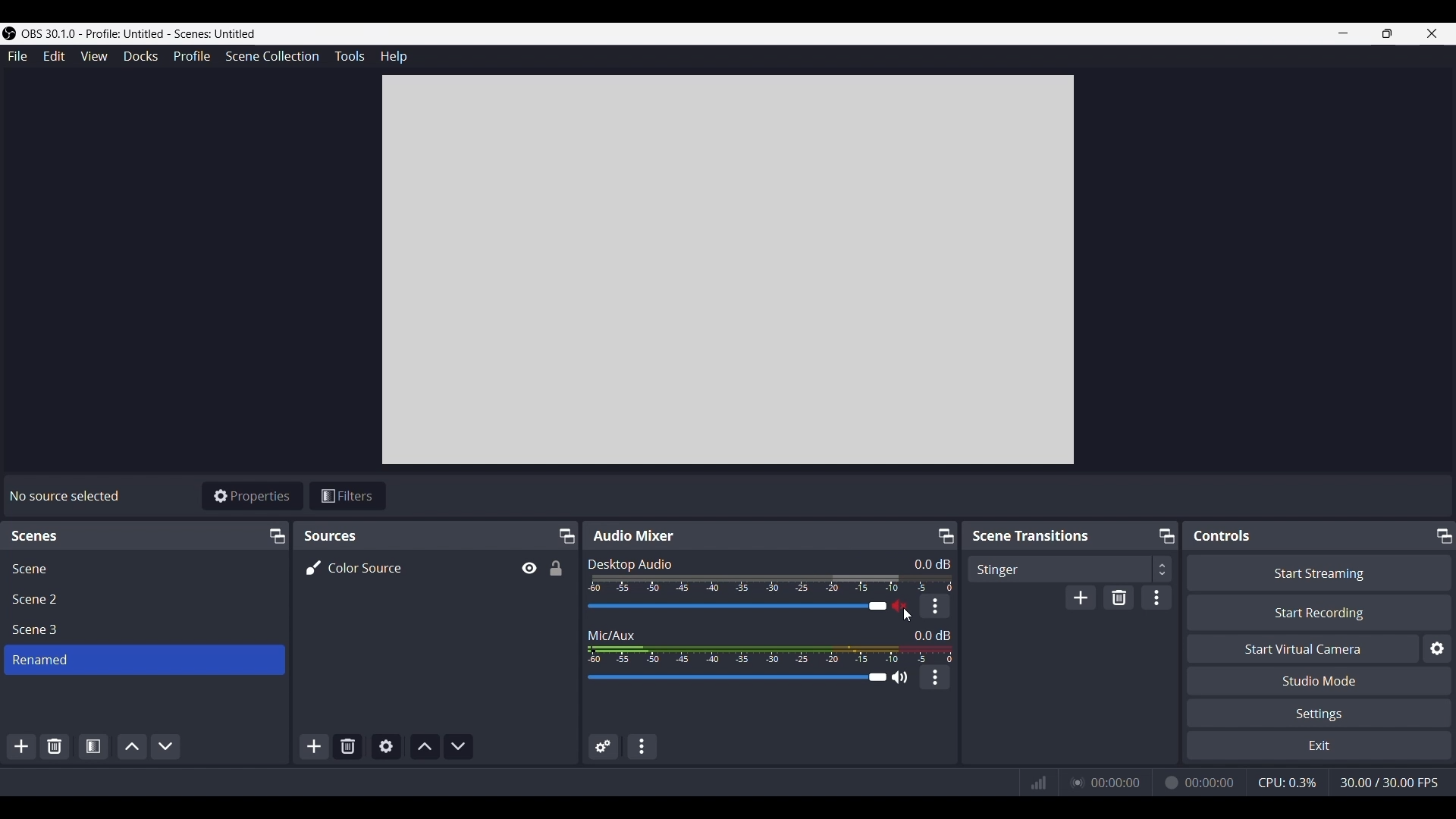 The height and width of the screenshot is (819, 1456). Describe the element at coordinates (946, 536) in the screenshot. I see `Float Audio mixer panel` at that location.